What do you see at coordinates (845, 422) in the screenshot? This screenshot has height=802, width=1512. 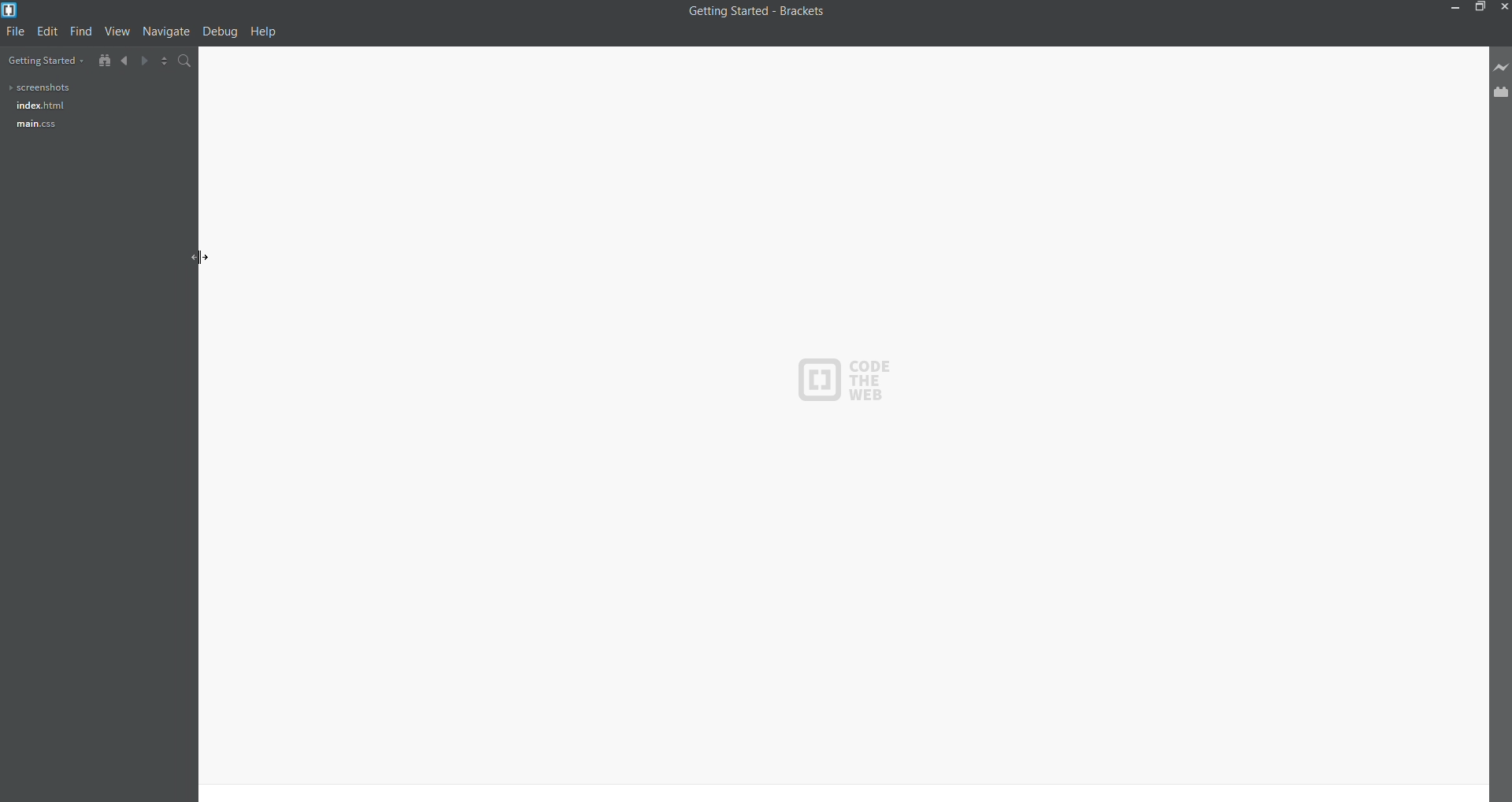 I see `code area` at bounding box center [845, 422].